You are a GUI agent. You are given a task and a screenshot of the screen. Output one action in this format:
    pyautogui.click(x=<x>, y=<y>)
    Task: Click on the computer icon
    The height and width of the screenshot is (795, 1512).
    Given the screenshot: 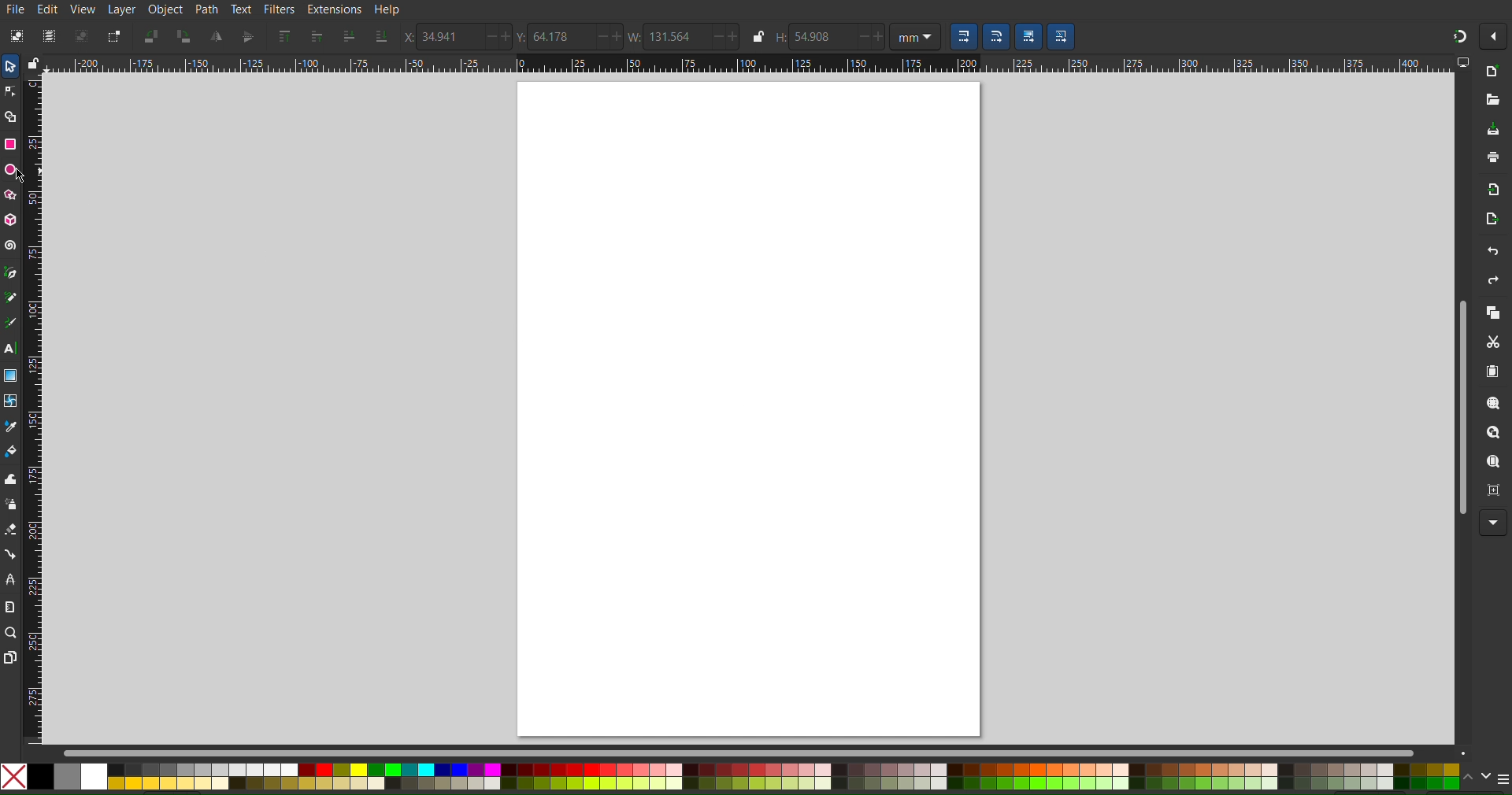 What is the action you would take?
    pyautogui.click(x=1466, y=65)
    